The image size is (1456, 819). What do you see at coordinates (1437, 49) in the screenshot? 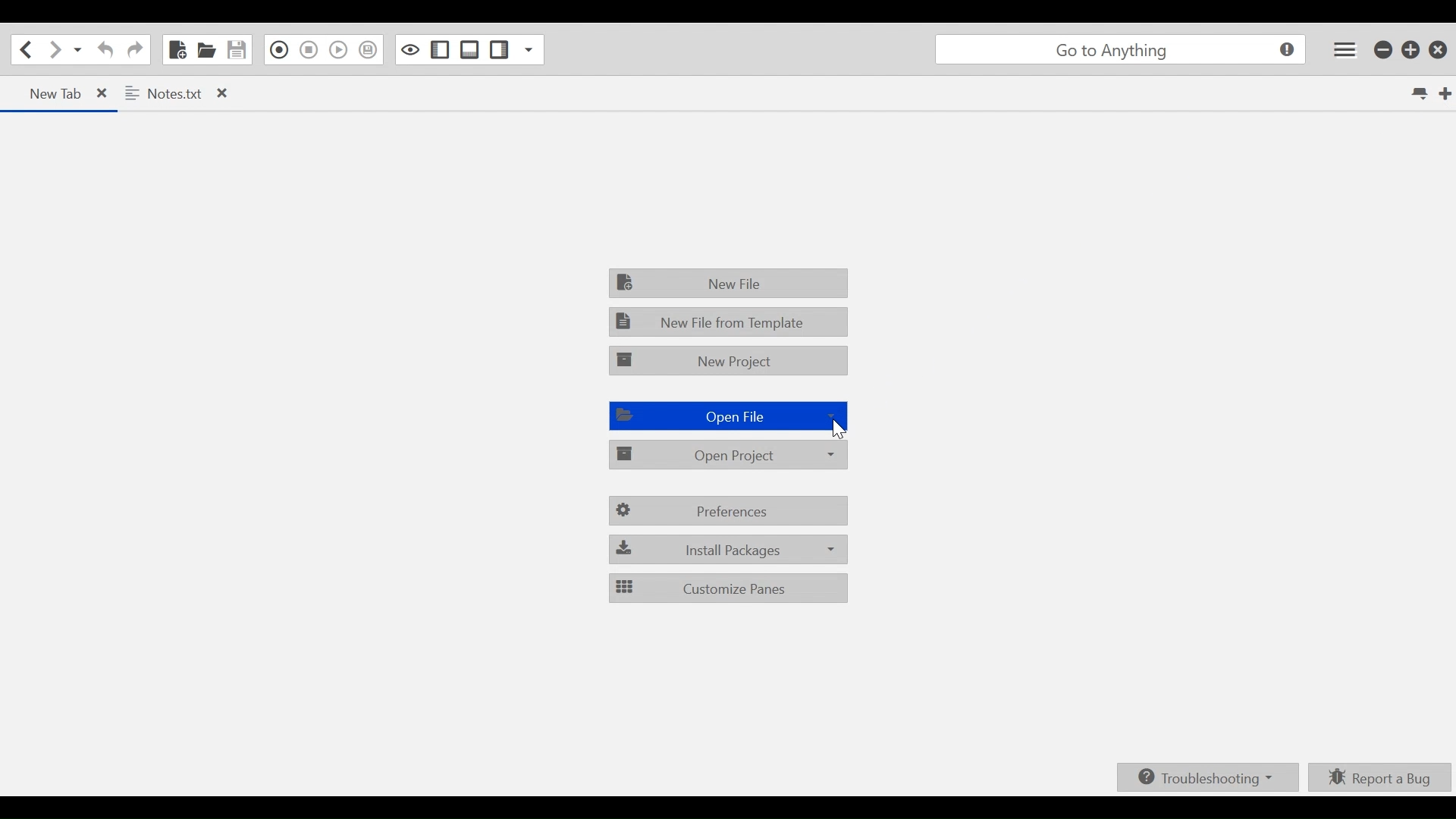
I see `Close` at bounding box center [1437, 49].